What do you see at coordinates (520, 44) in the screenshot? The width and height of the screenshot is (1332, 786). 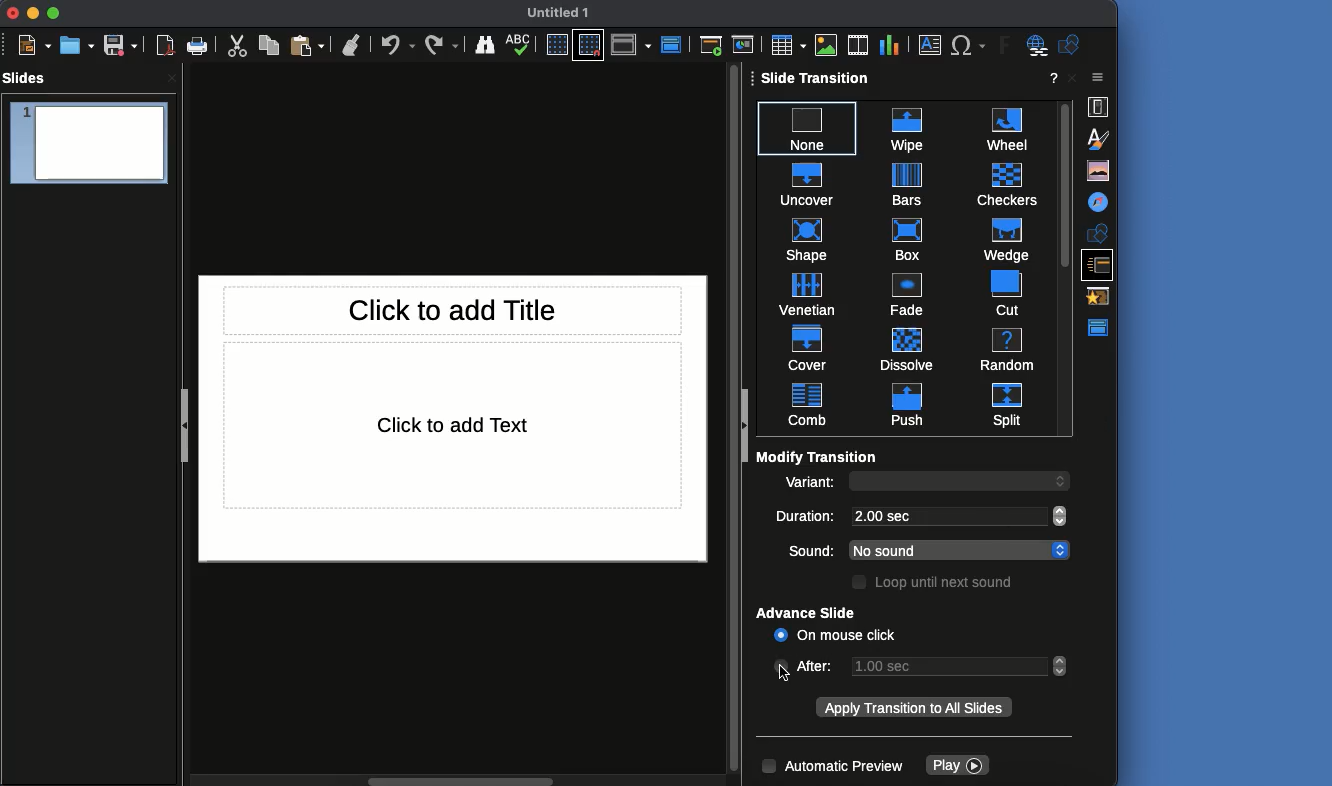 I see `Spellcheck` at bounding box center [520, 44].